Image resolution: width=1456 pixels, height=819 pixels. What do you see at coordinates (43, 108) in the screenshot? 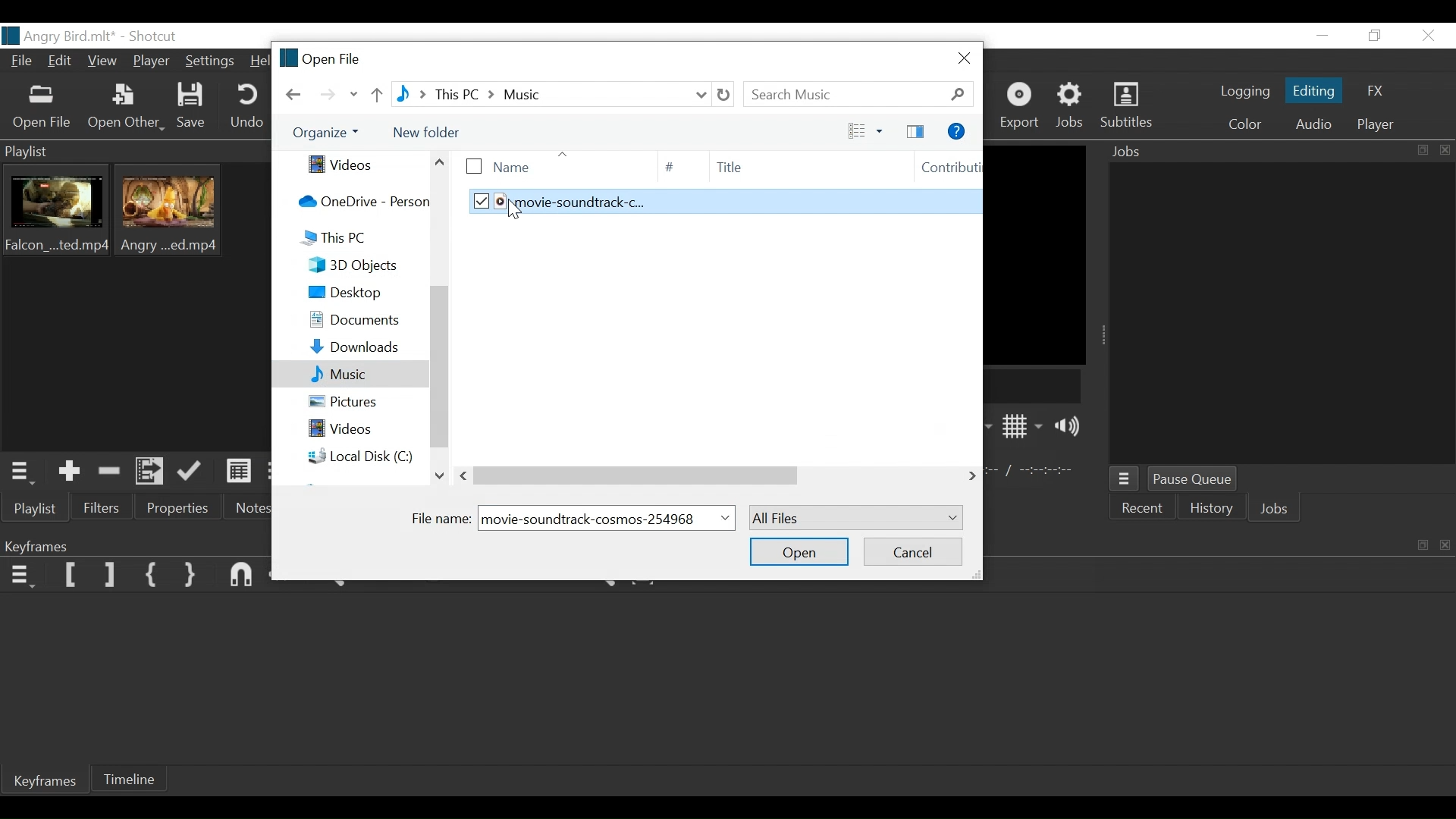
I see `Open File` at bounding box center [43, 108].